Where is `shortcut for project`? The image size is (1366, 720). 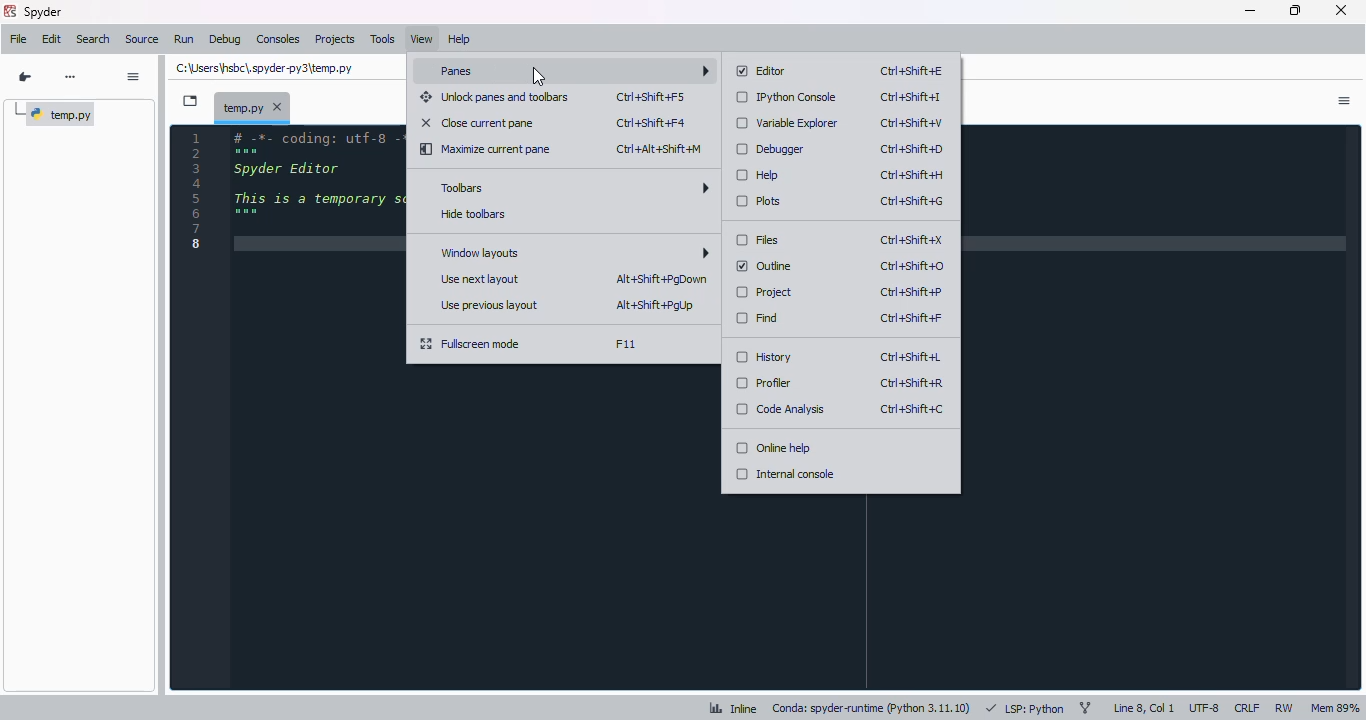
shortcut for project is located at coordinates (912, 292).